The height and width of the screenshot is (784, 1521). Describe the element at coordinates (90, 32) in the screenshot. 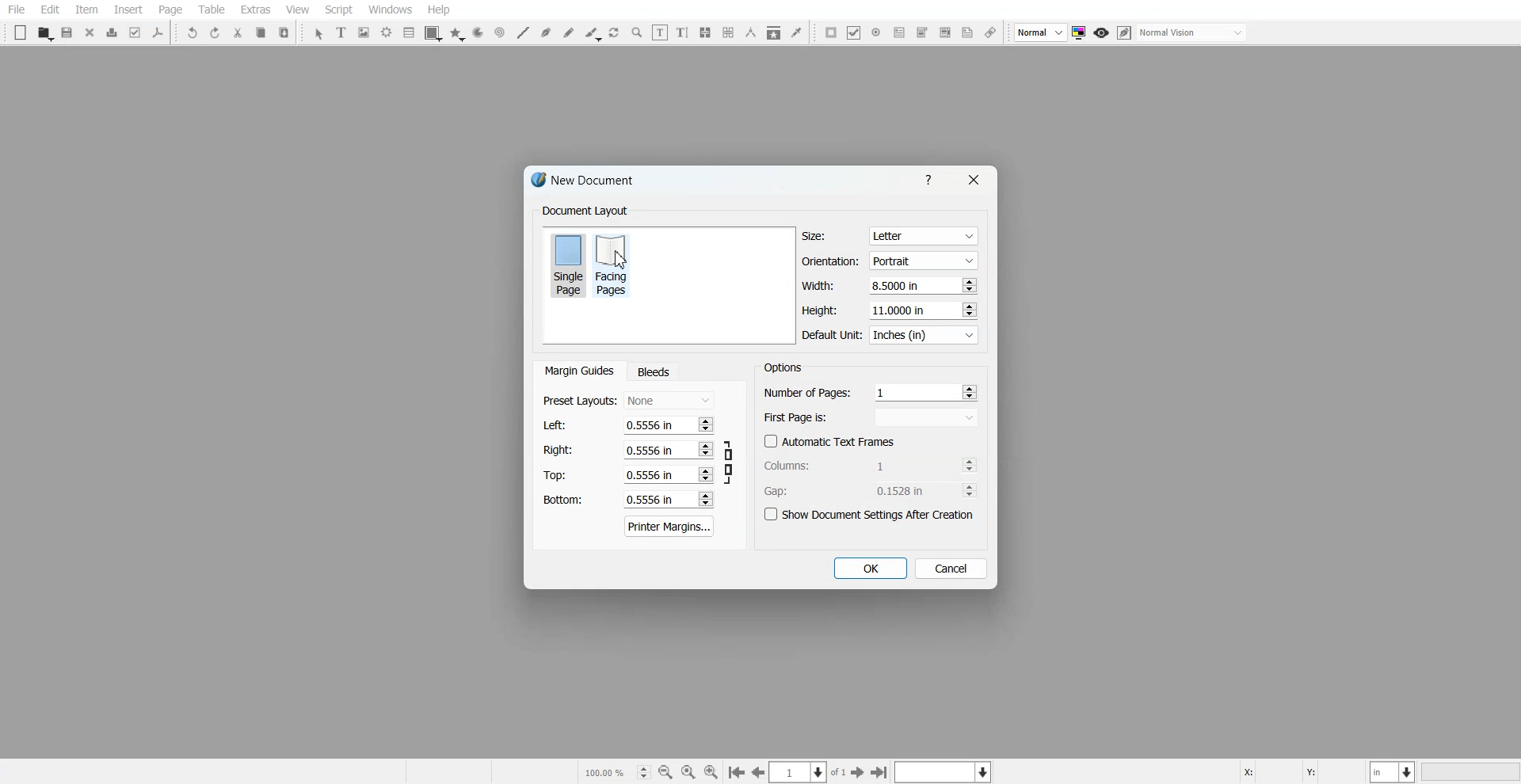

I see `Close` at that location.